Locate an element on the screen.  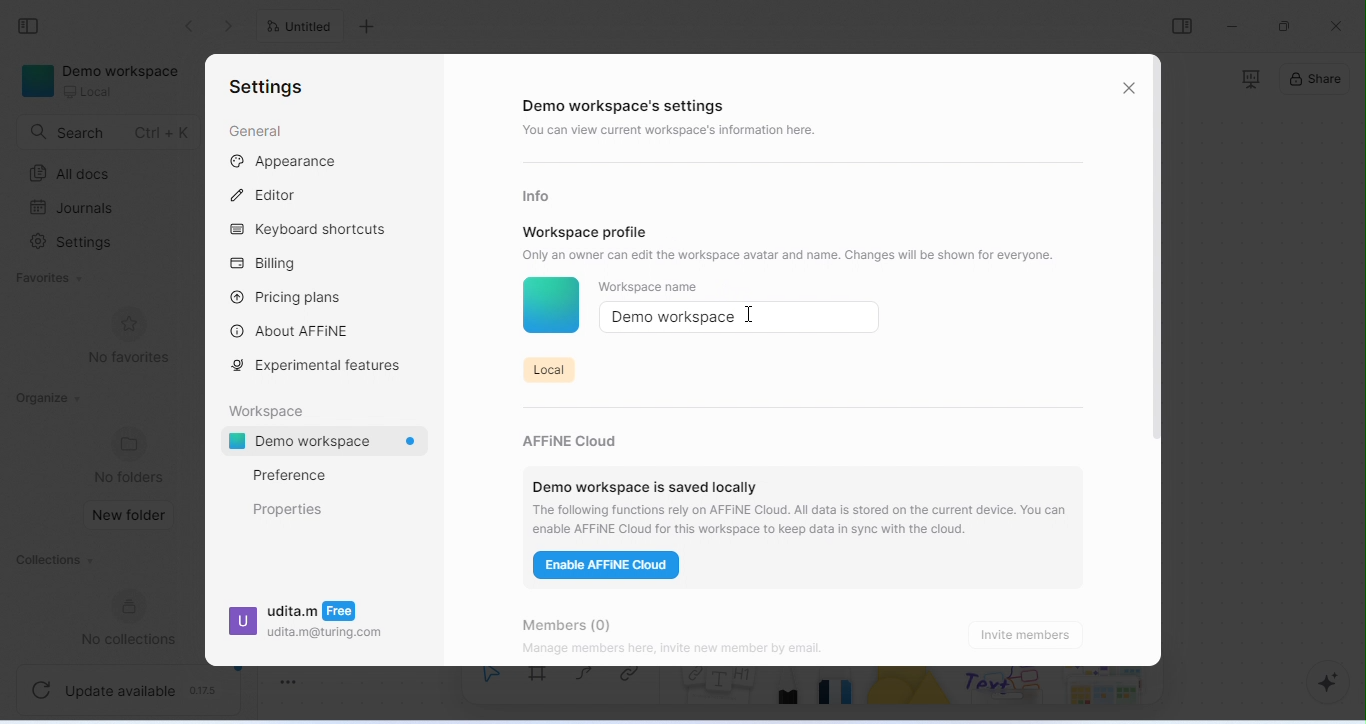
udita.m udita.m@turing.com is located at coordinates (306, 626).